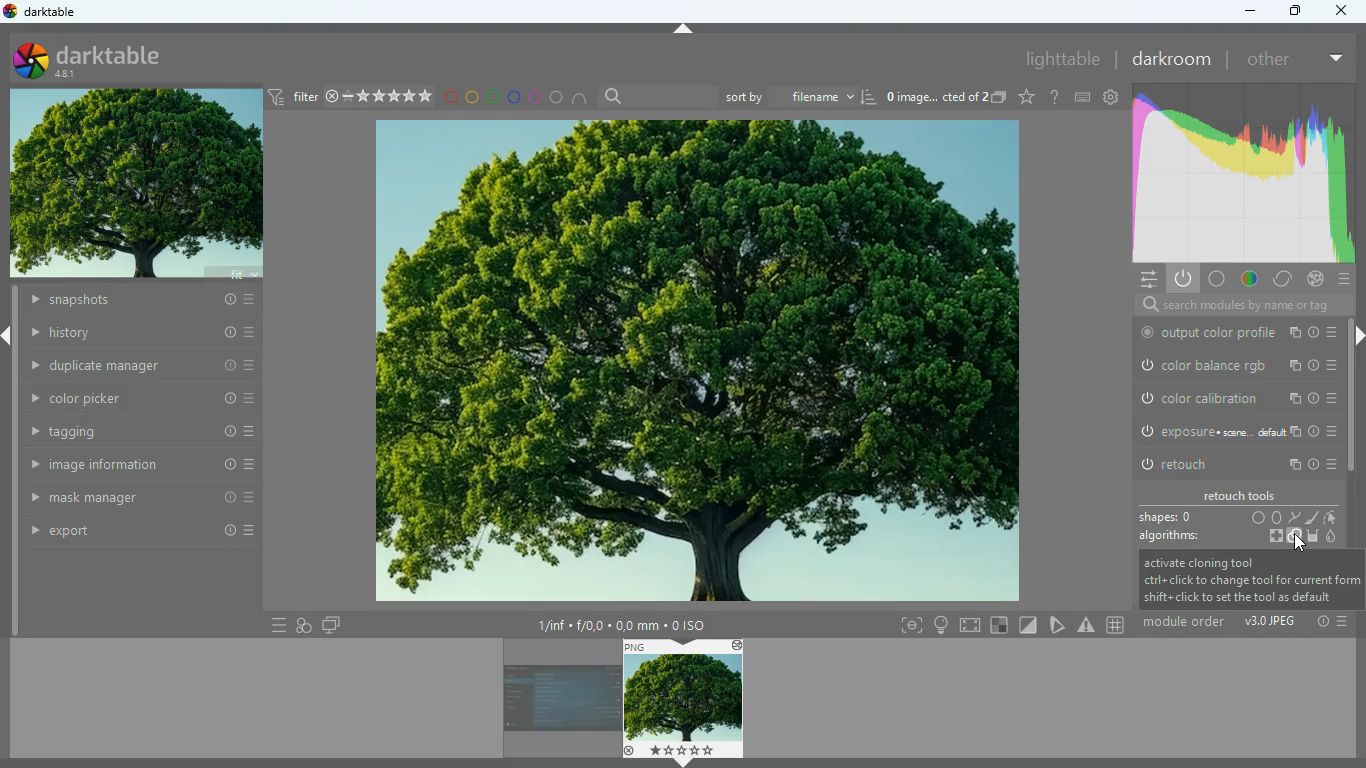  I want to click on retouch, so click(1236, 464).